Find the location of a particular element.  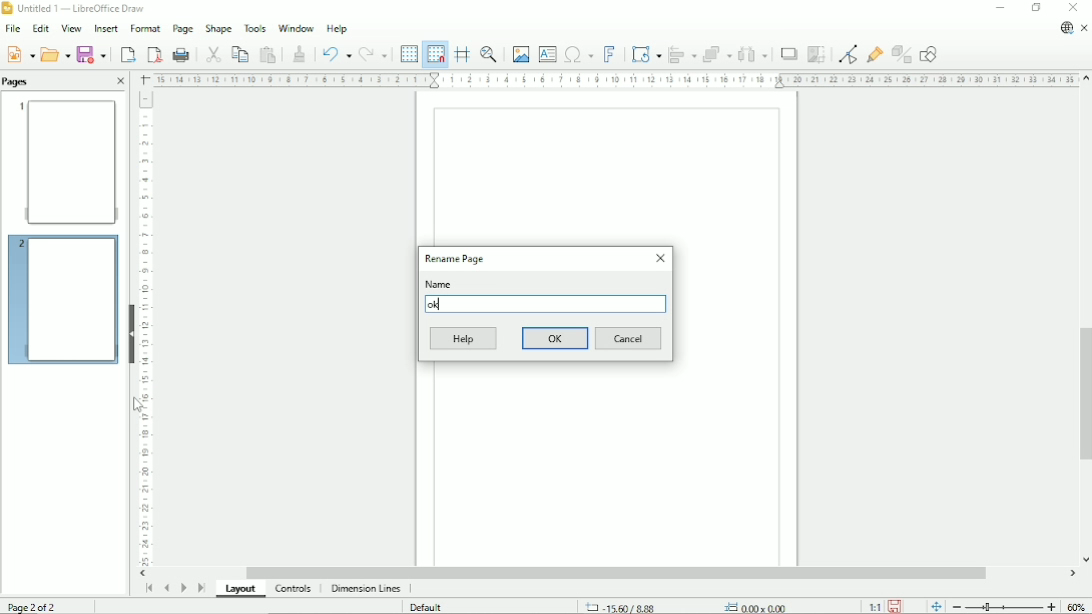

Dimension lines is located at coordinates (365, 589).